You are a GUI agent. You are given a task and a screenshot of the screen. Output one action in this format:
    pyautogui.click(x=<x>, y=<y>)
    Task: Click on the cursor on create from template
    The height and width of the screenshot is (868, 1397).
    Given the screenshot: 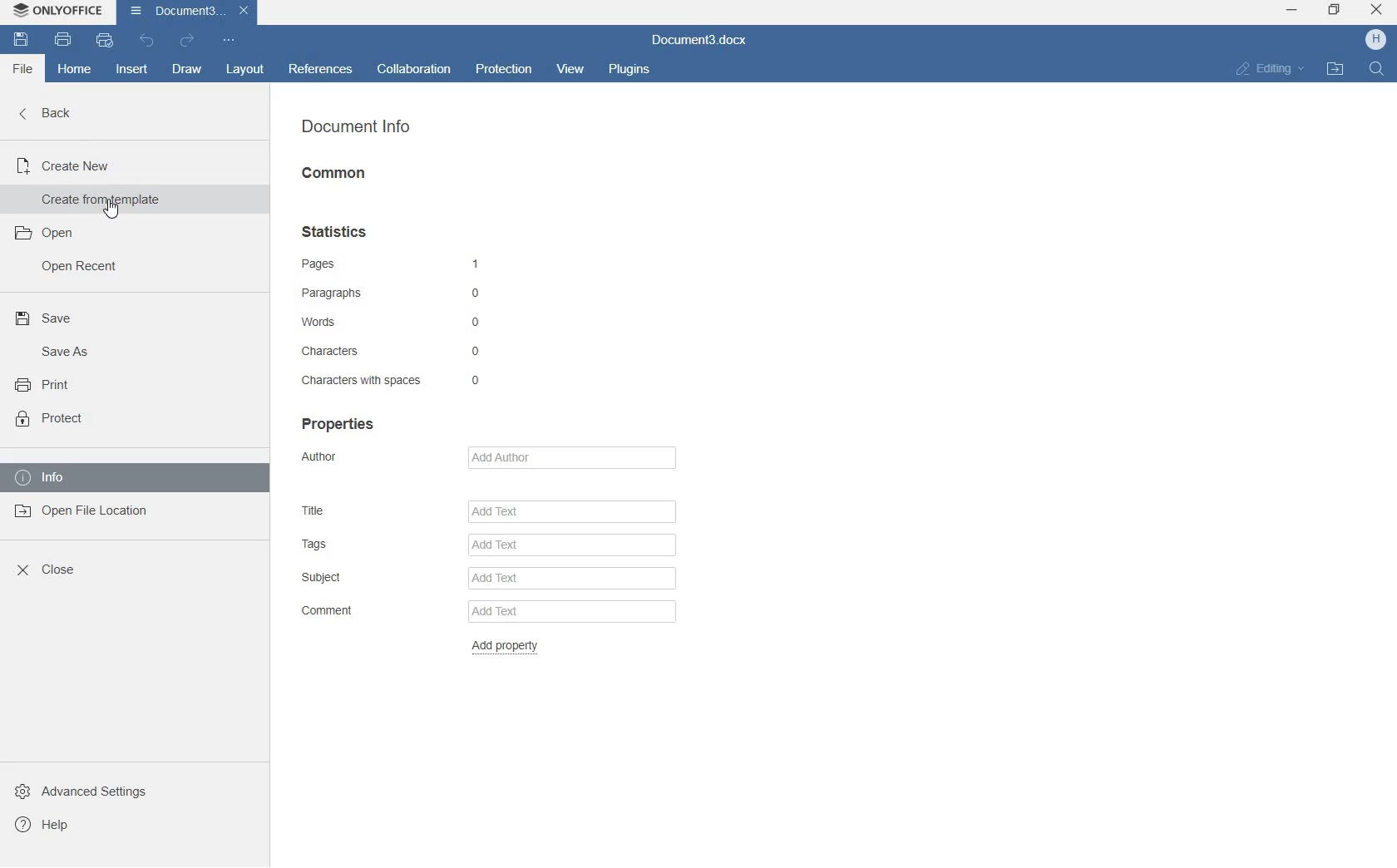 What is the action you would take?
    pyautogui.click(x=113, y=209)
    